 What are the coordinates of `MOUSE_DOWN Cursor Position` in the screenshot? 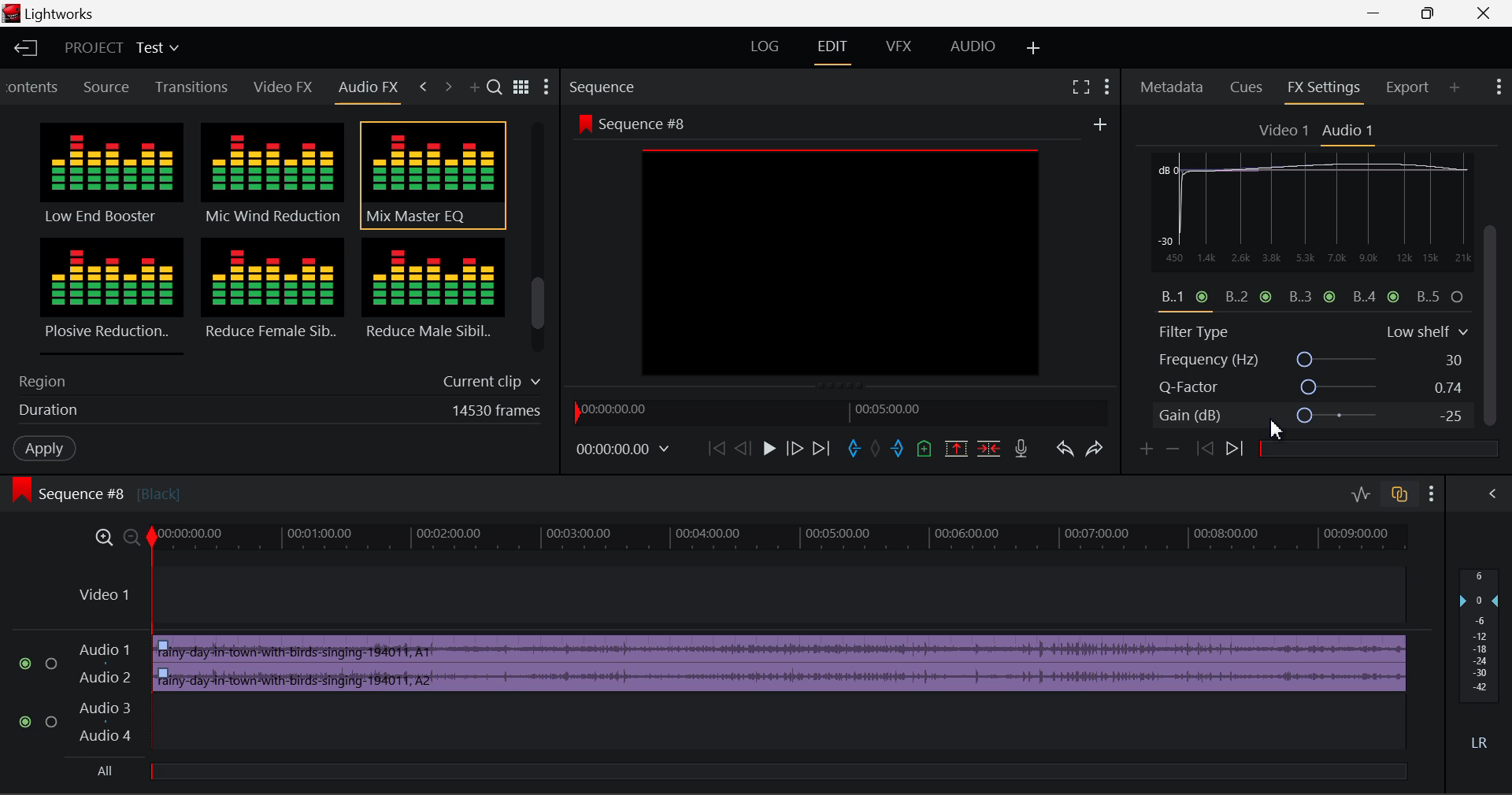 It's located at (1496, 242).